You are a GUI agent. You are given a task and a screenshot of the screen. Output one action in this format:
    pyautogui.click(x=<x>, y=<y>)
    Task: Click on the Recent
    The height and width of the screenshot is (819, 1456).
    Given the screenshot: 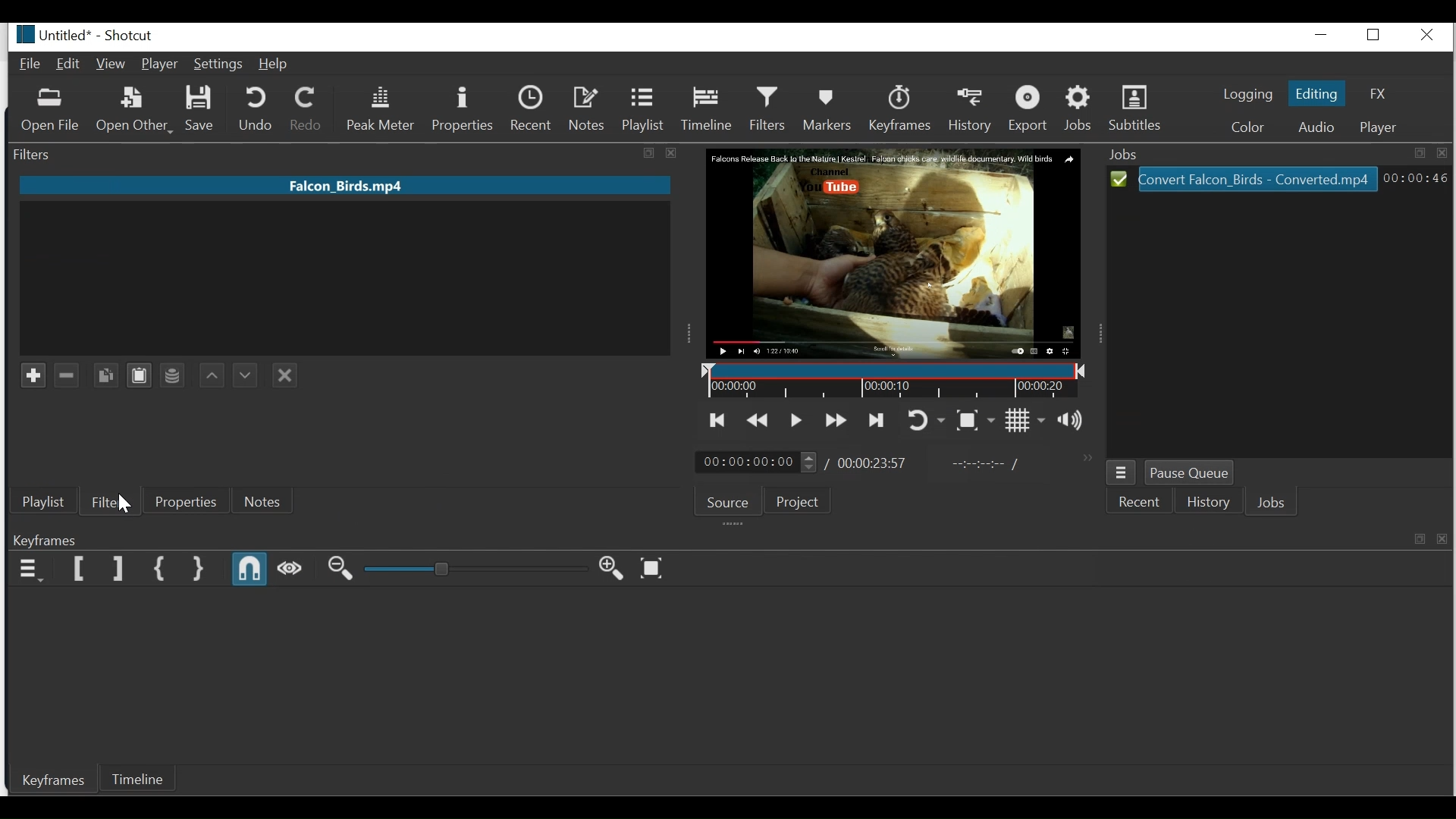 What is the action you would take?
    pyautogui.click(x=1143, y=500)
    